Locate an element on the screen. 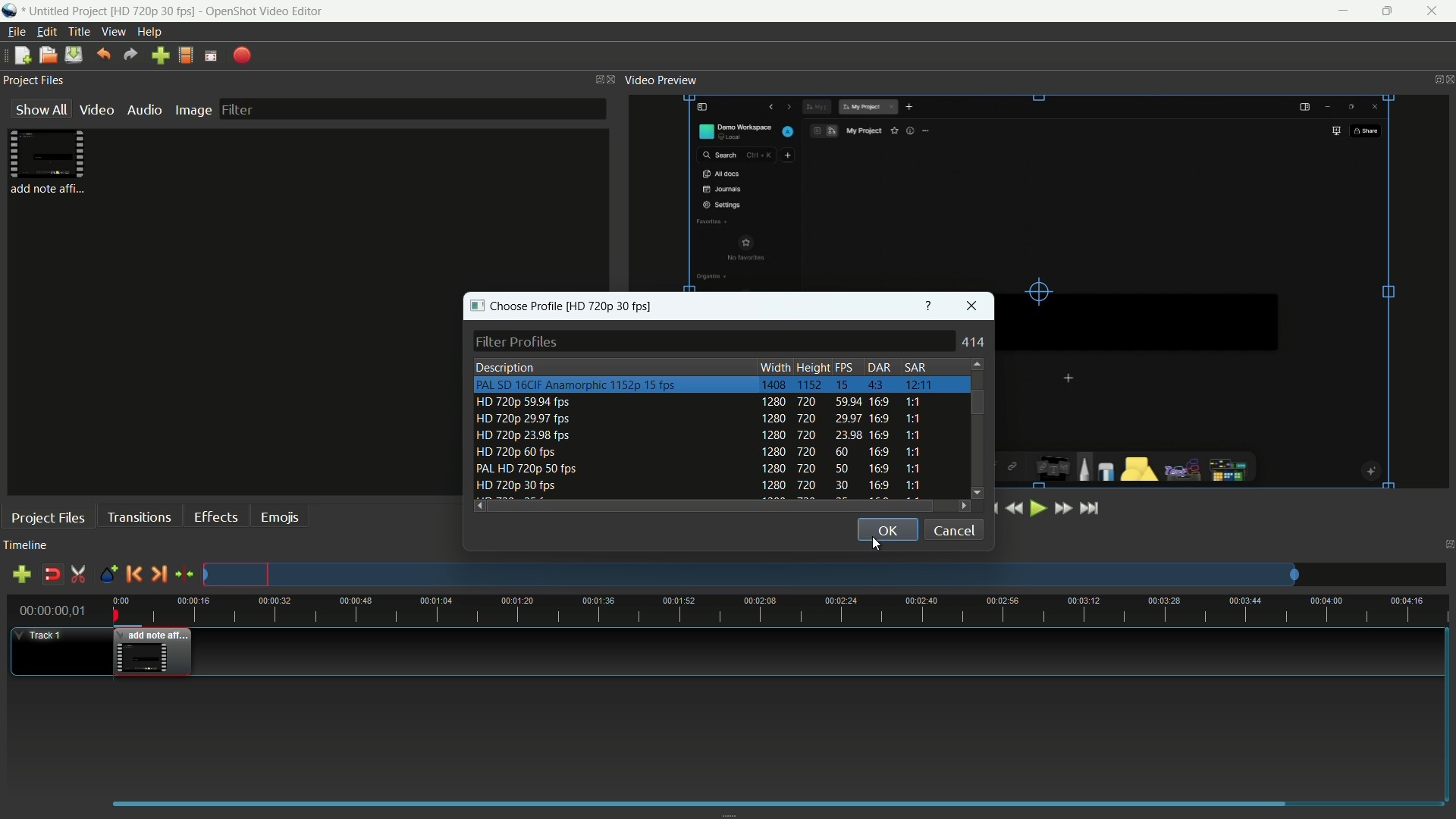 This screenshot has width=1456, height=819. close window is located at coordinates (974, 306).